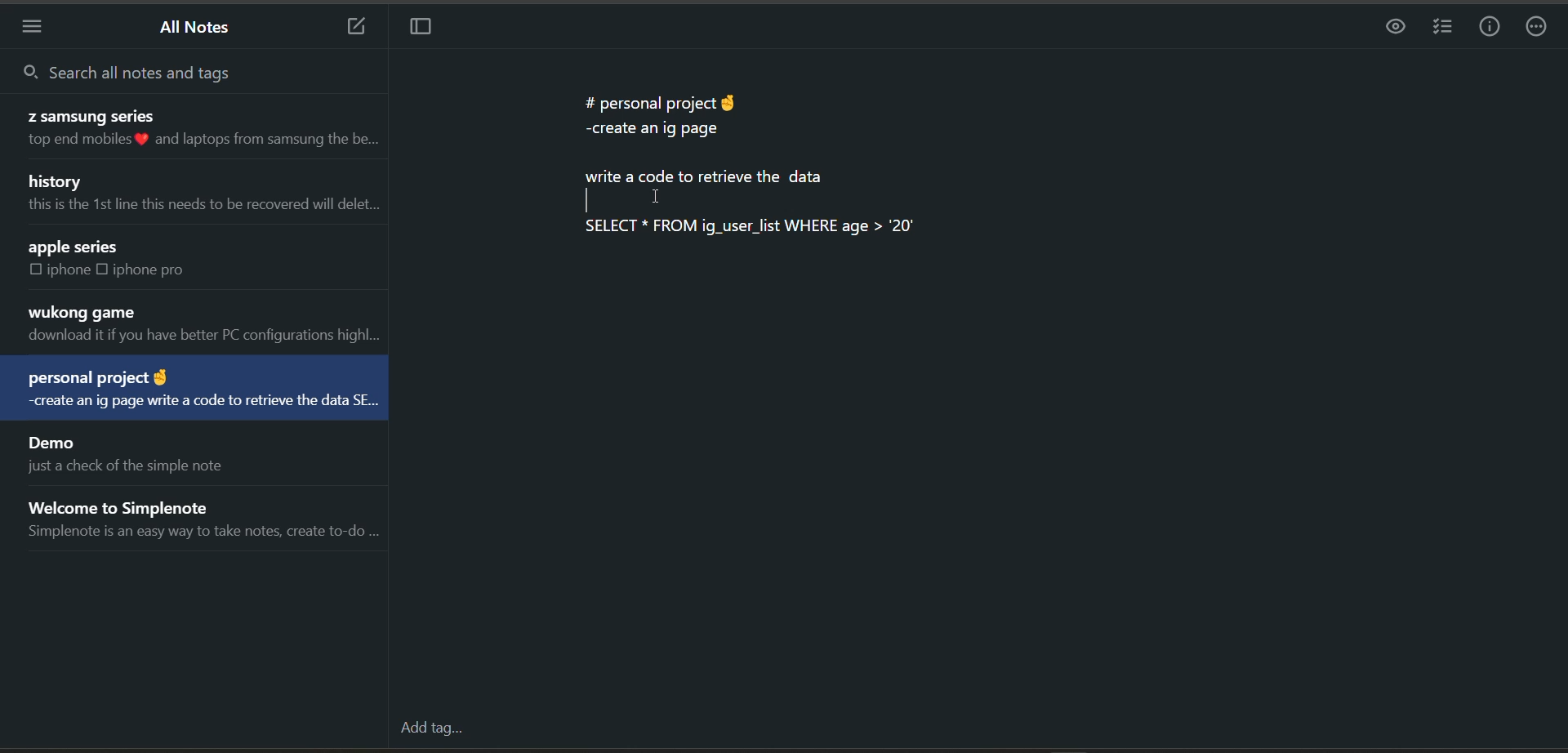  What do you see at coordinates (169, 259) in the screenshot?
I see `note title  and preview` at bounding box center [169, 259].